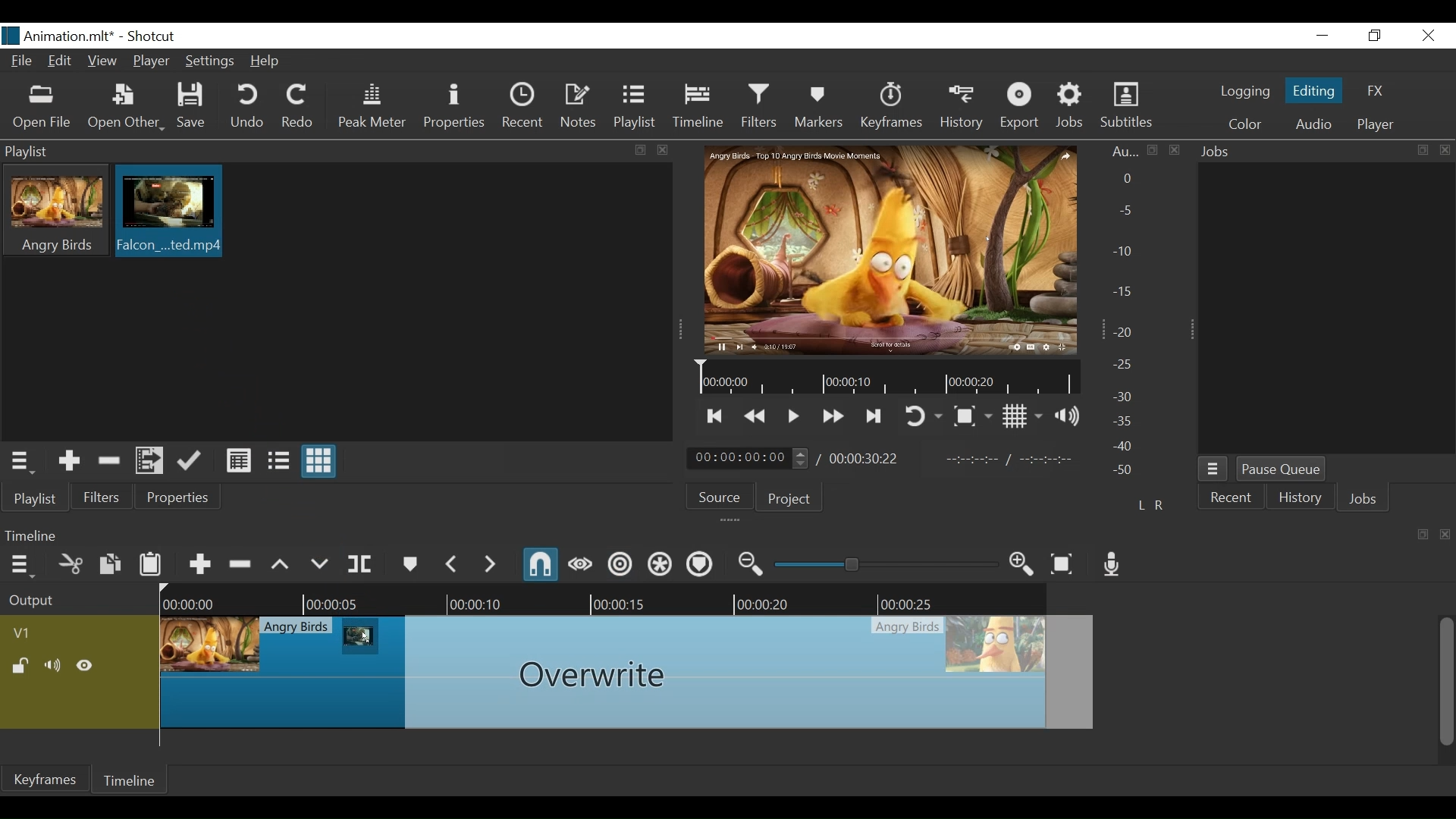 The width and height of the screenshot is (1456, 819). Describe the element at coordinates (149, 60) in the screenshot. I see `Player` at that location.